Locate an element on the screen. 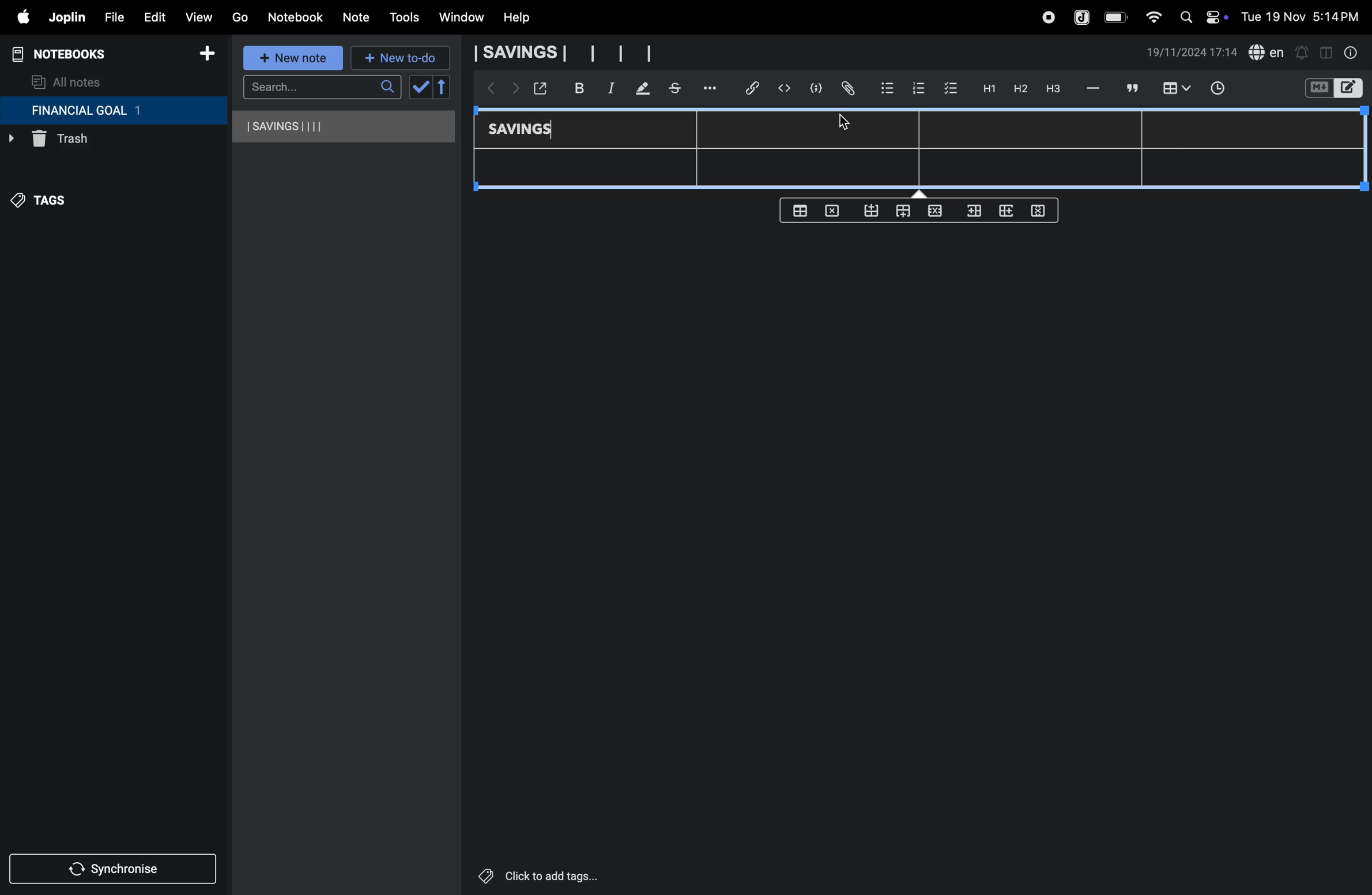 The width and height of the screenshot is (1372, 895). delete is located at coordinates (835, 210).